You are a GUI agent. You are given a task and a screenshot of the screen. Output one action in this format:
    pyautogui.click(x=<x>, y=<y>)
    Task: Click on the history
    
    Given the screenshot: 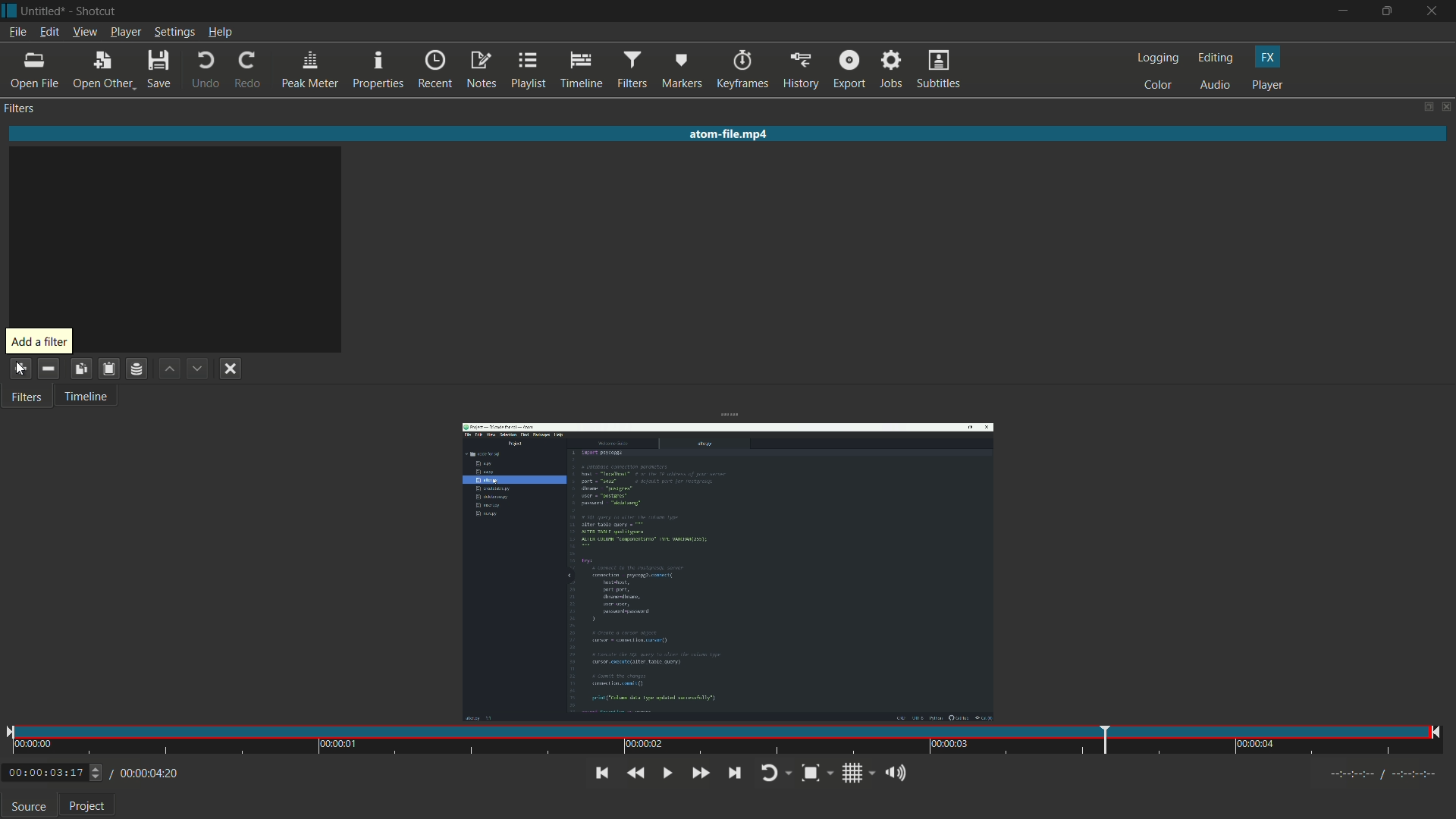 What is the action you would take?
    pyautogui.click(x=800, y=71)
    